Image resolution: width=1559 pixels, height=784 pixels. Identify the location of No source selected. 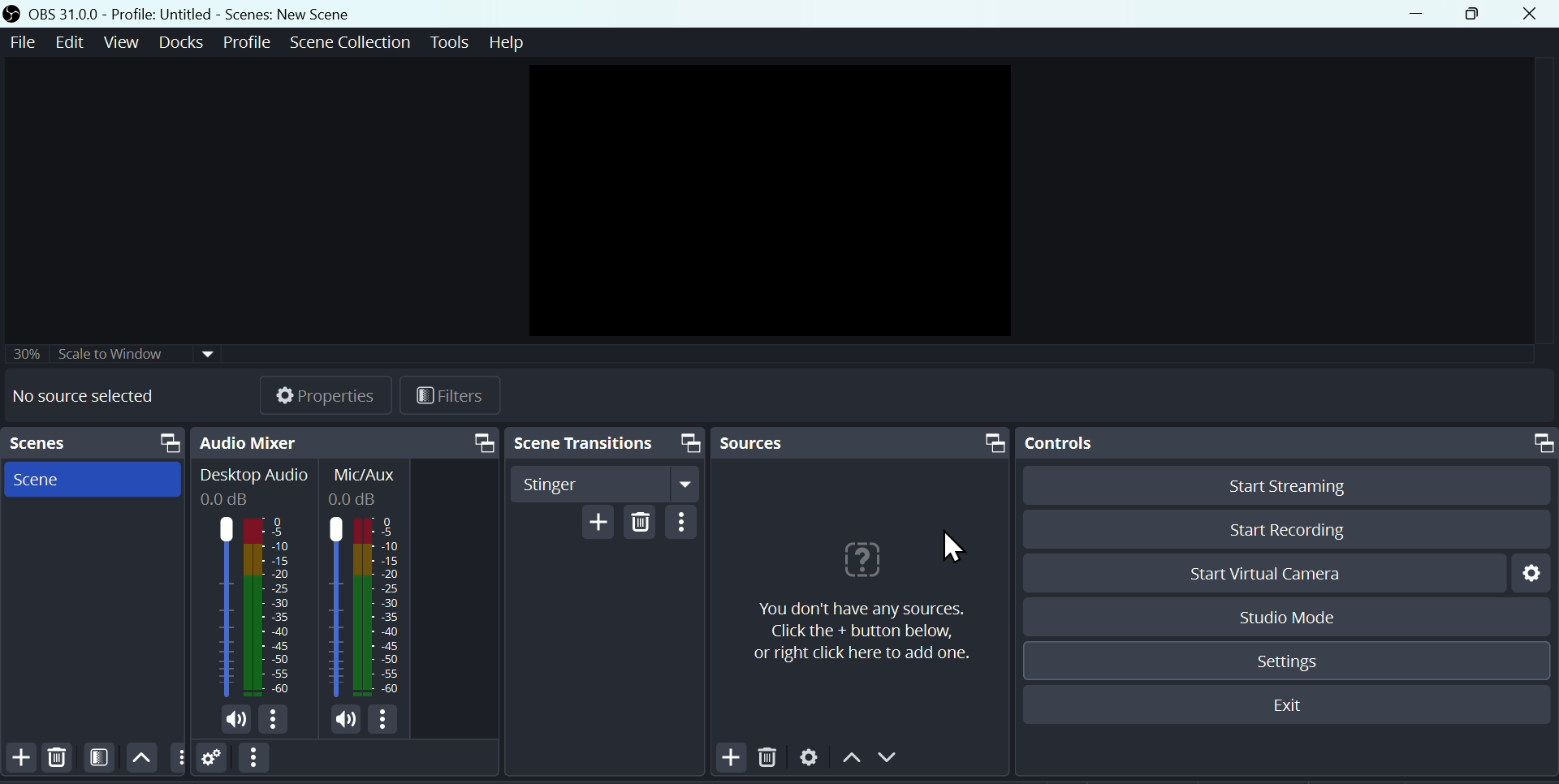
(83, 395).